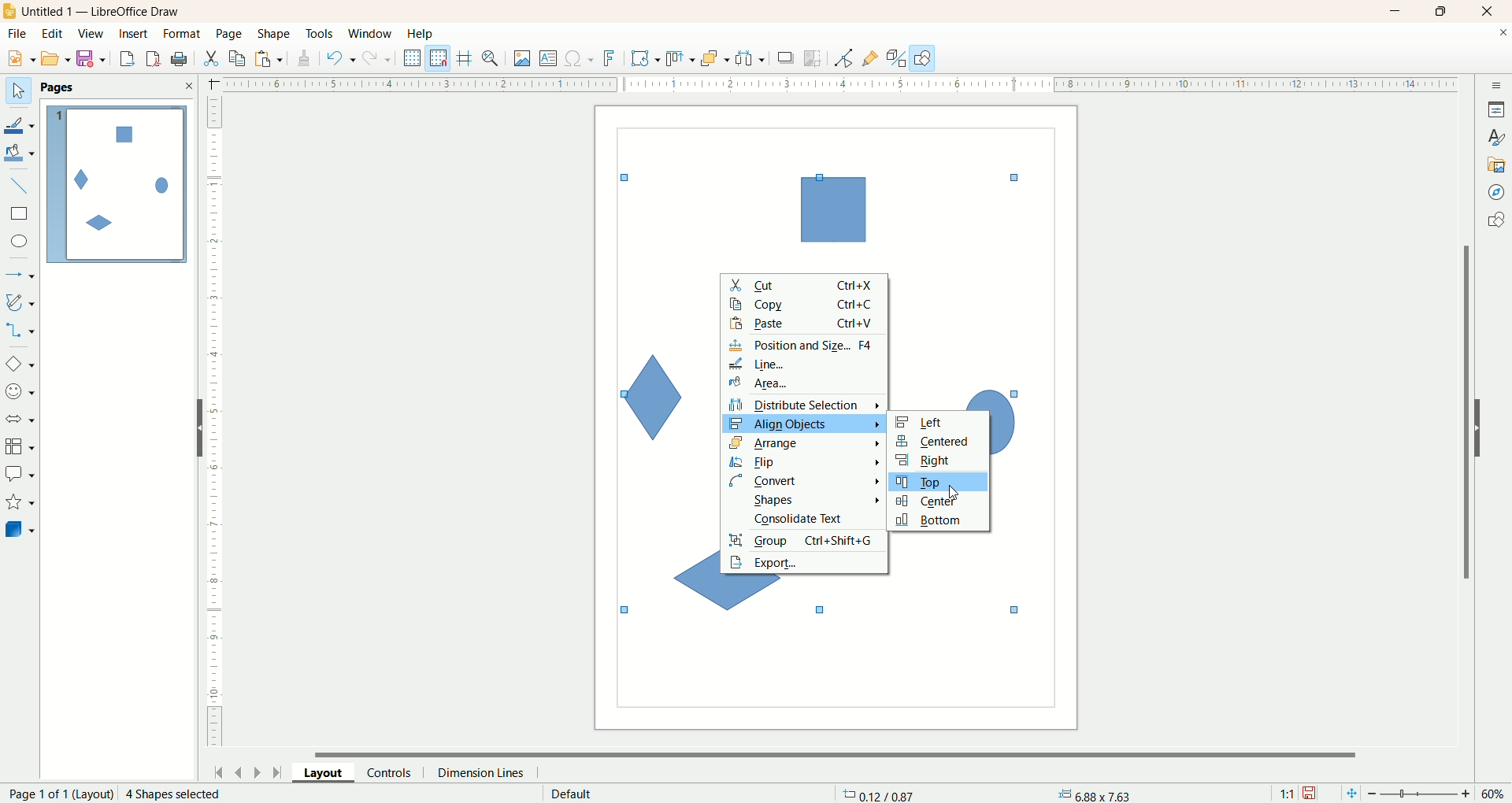 The height and width of the screenshot is (803, 1512). What do you see at coordinates (751, 58) in the screenshot?
I see `select at least three objects to distribute` at bounding box center [751, 58].